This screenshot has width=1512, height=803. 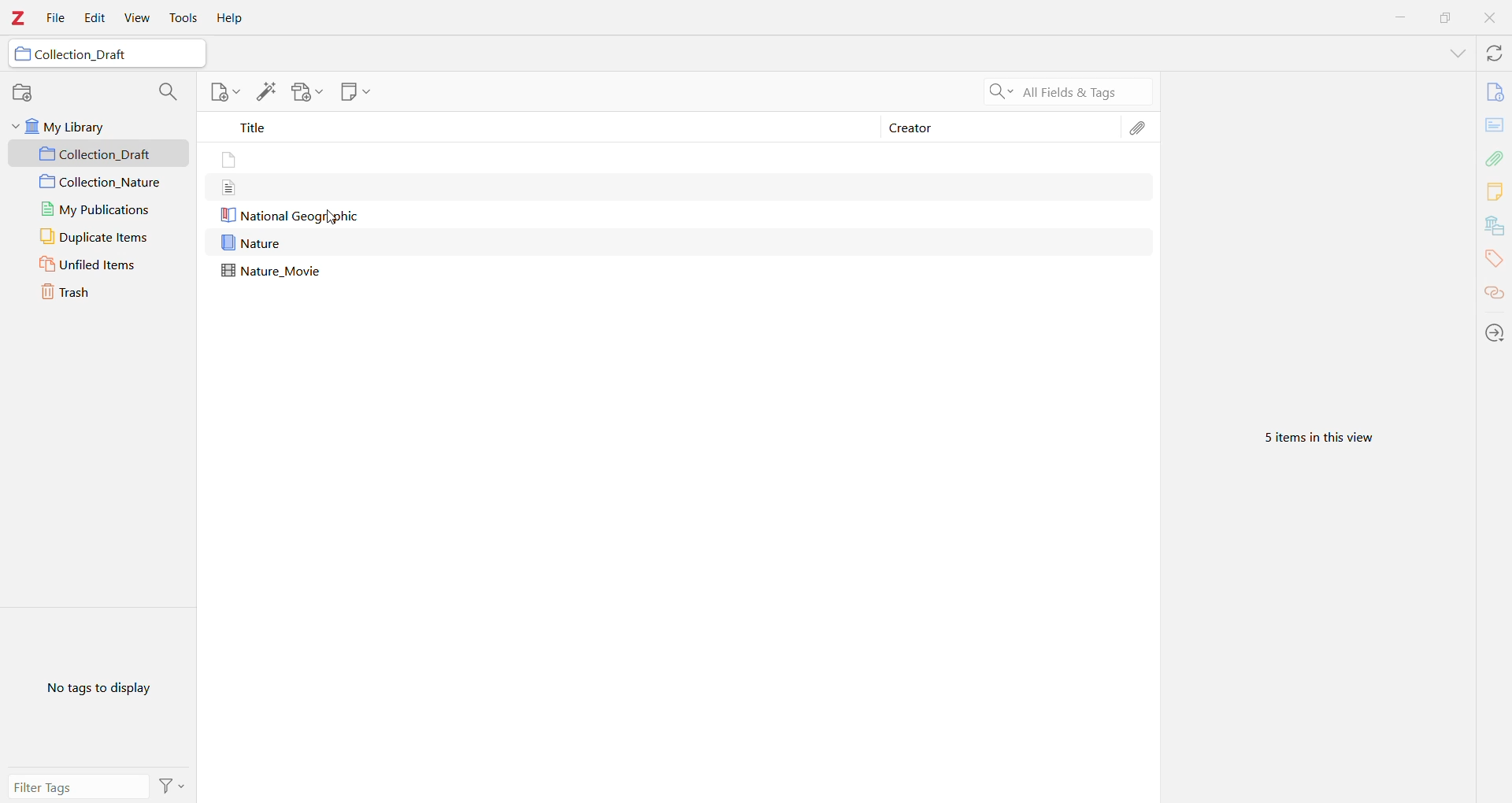 I want to click on View, so click(x=139, y=18).